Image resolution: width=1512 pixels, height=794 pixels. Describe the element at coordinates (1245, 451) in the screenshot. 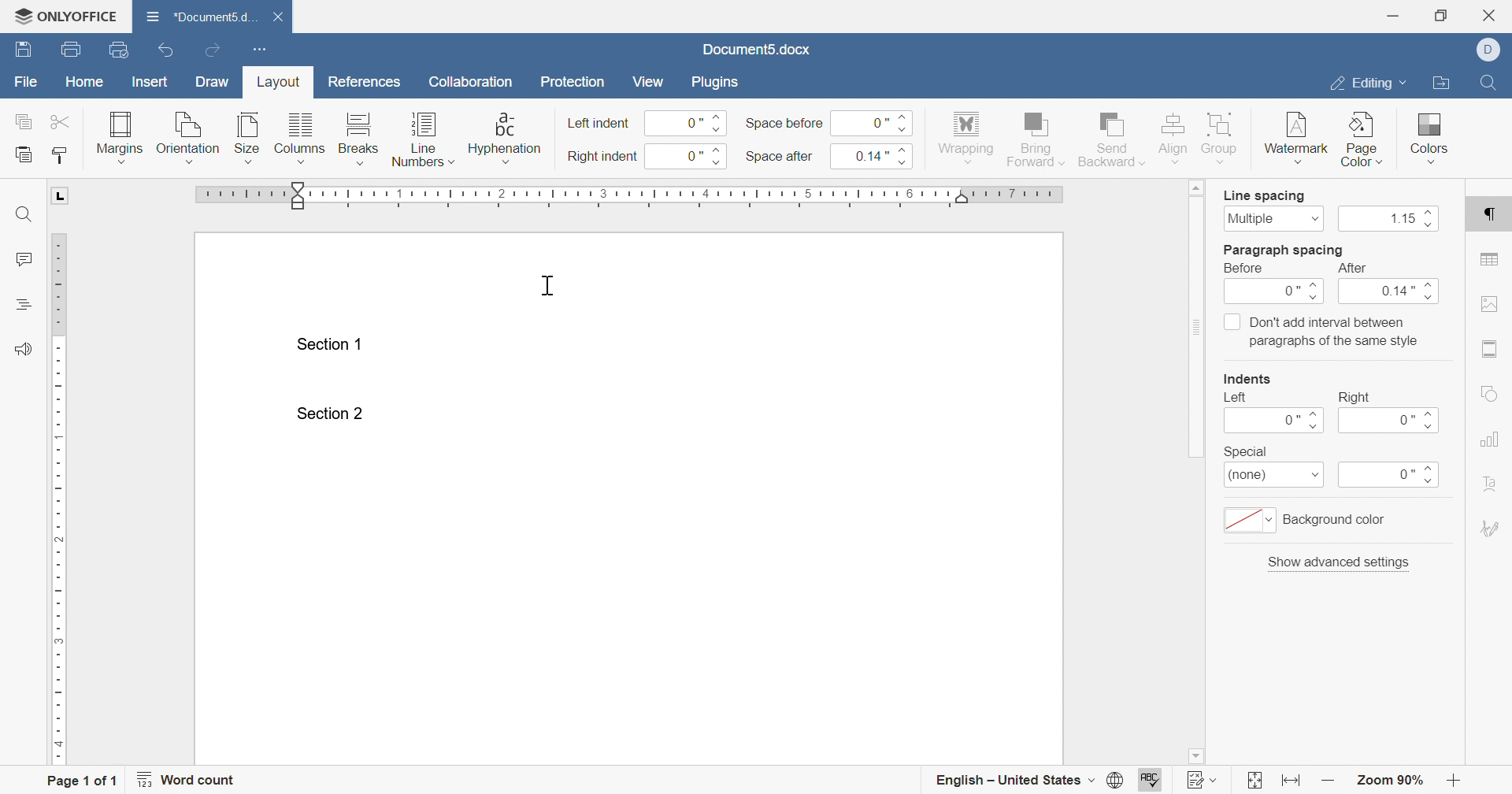

I see `special` at that location.